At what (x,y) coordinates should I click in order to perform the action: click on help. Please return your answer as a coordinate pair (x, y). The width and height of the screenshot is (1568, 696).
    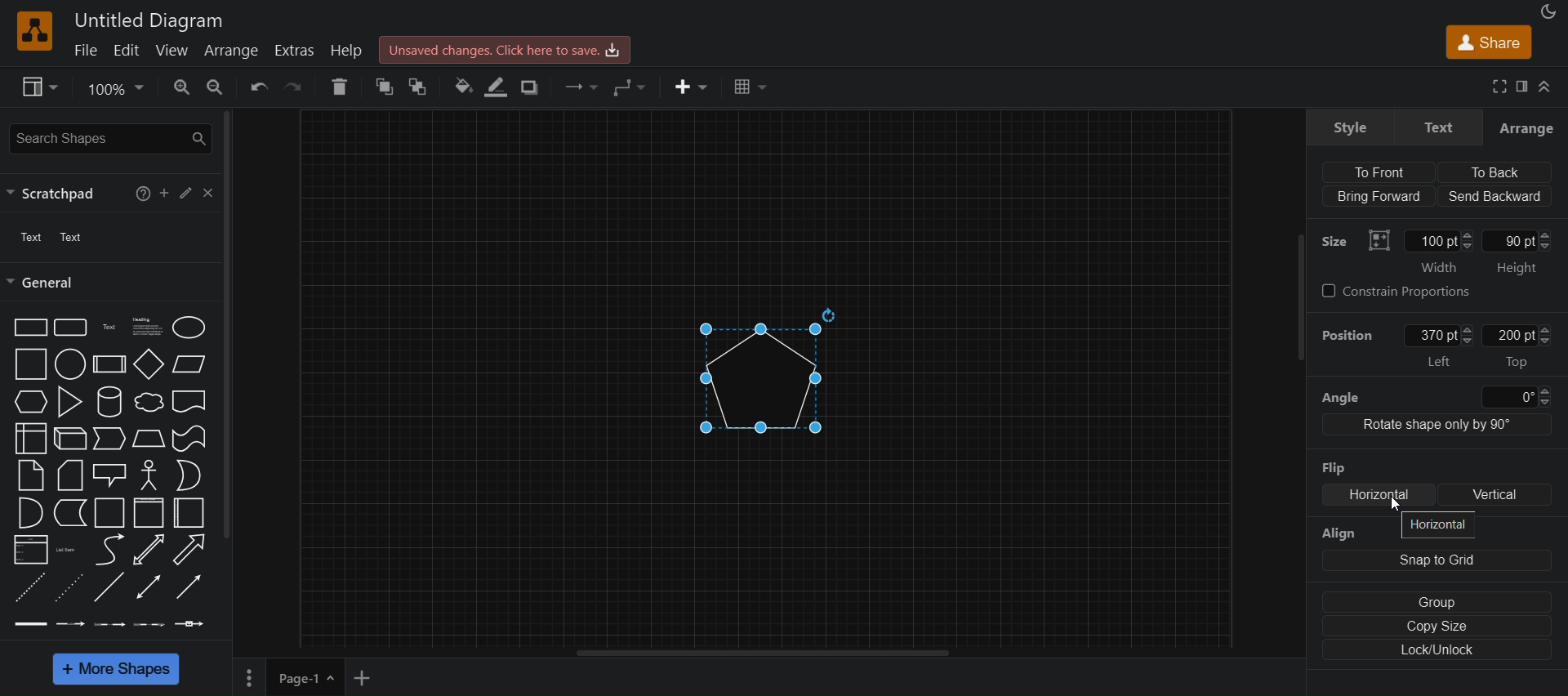
    Looking at the image, I should click on (143, 194).